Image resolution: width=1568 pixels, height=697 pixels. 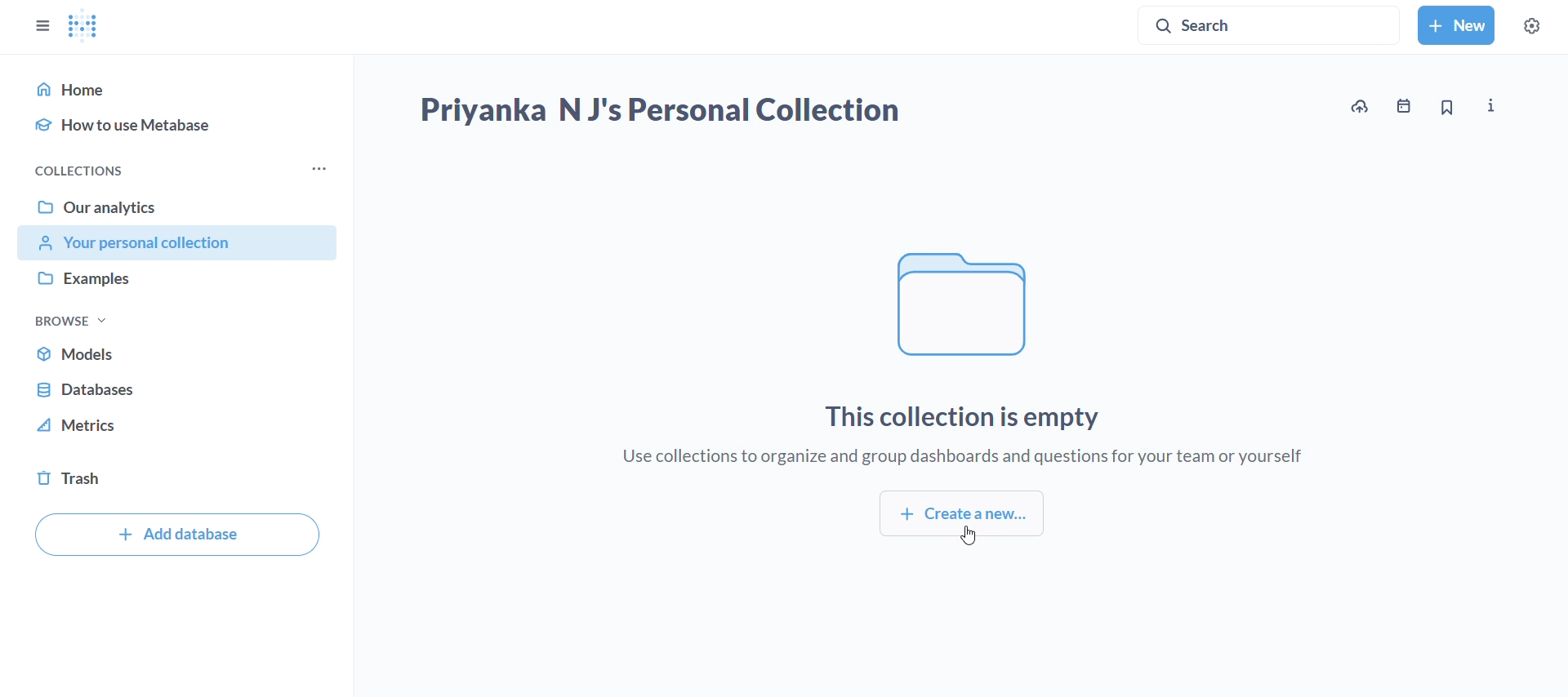 What do you see at coordinates (962, 457) in the screenshot?
I see `use collections to organize and group dashboards and questions for your team or yourself` at bounding box center [962, 457].